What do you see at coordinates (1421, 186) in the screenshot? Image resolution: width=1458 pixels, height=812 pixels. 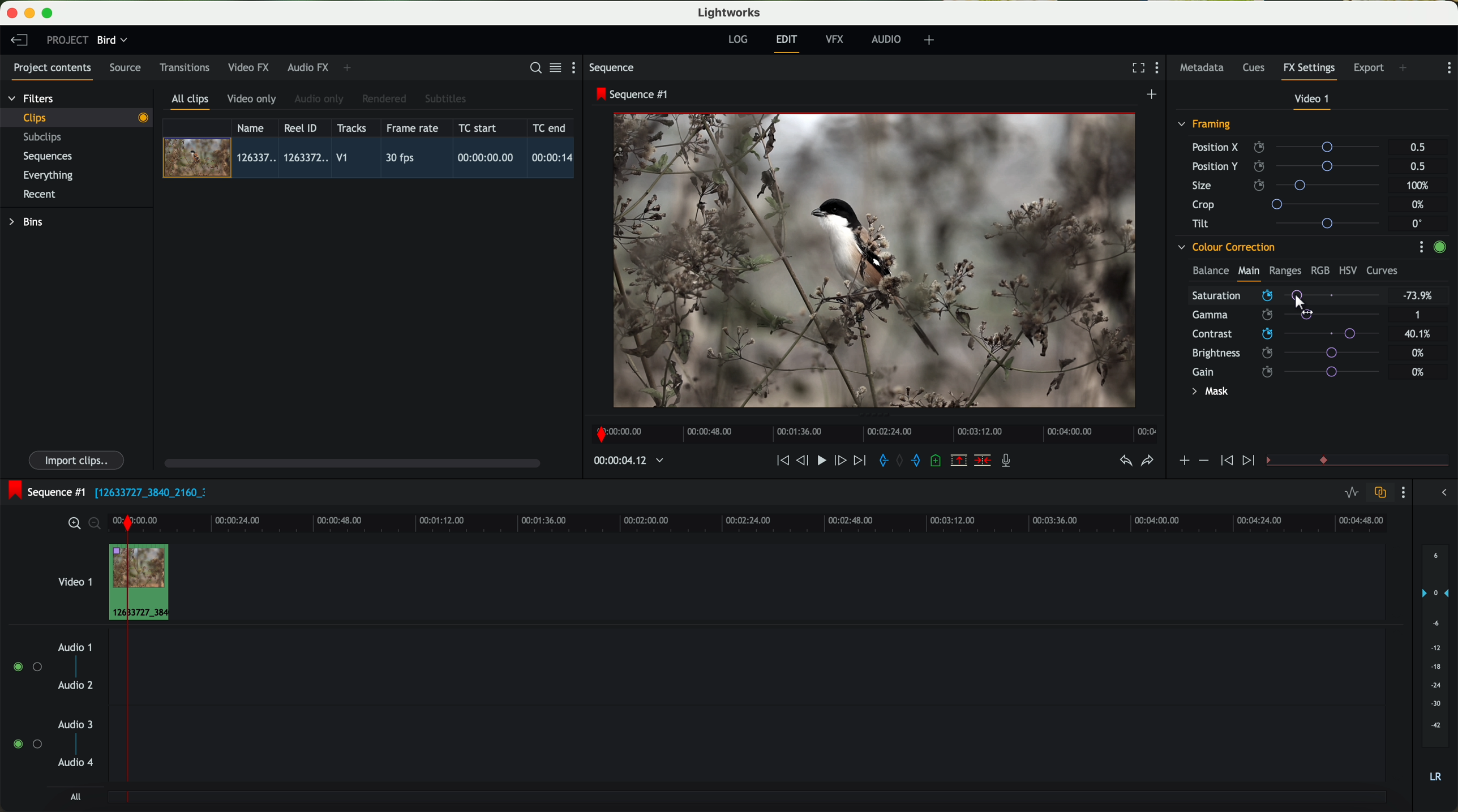 I see `100%` at bounding box center [1421, 186].